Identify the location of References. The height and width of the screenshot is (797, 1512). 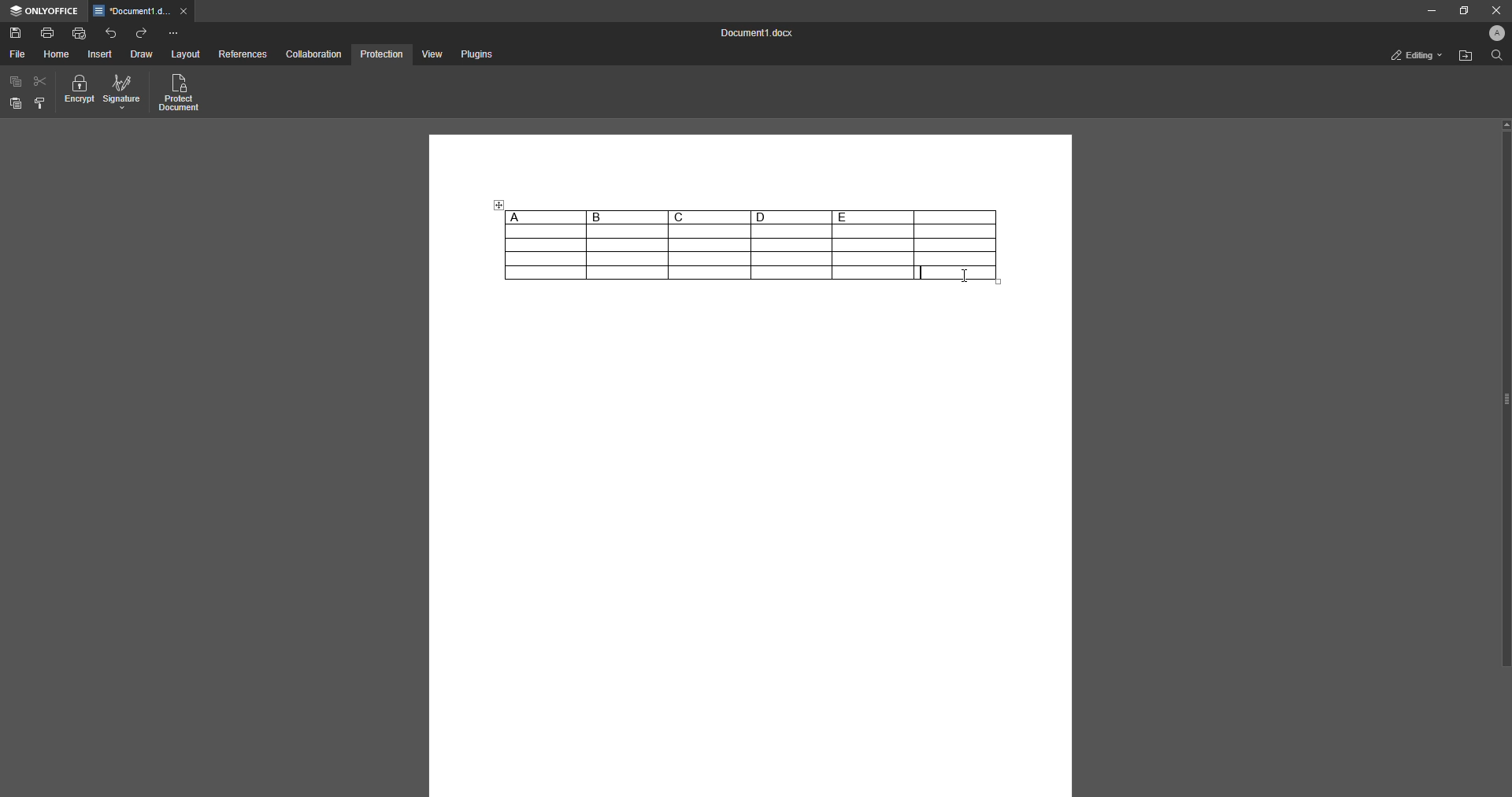
(242, 55).